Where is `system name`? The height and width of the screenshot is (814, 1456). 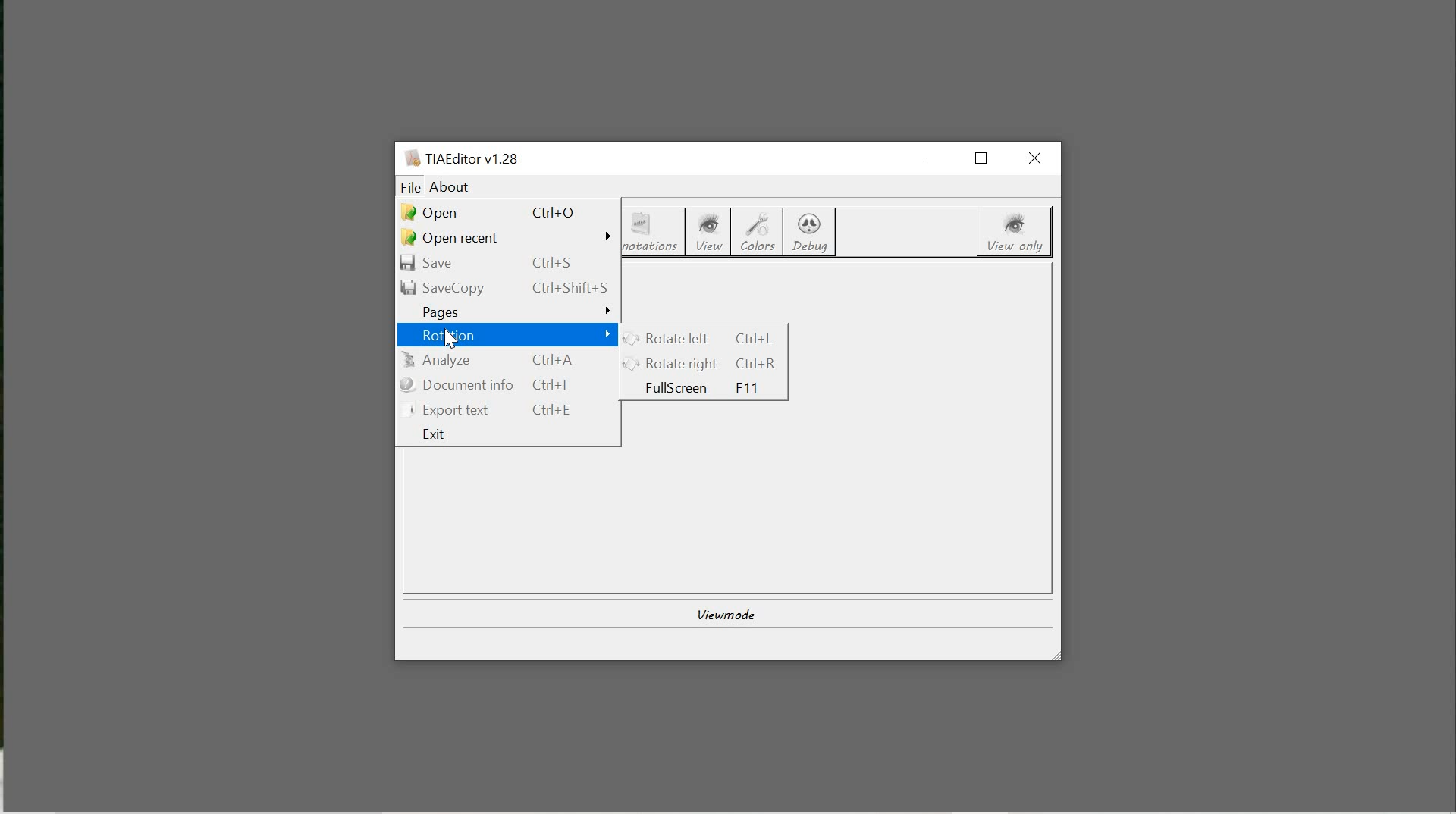 system name is located at coordinates (460, 158).